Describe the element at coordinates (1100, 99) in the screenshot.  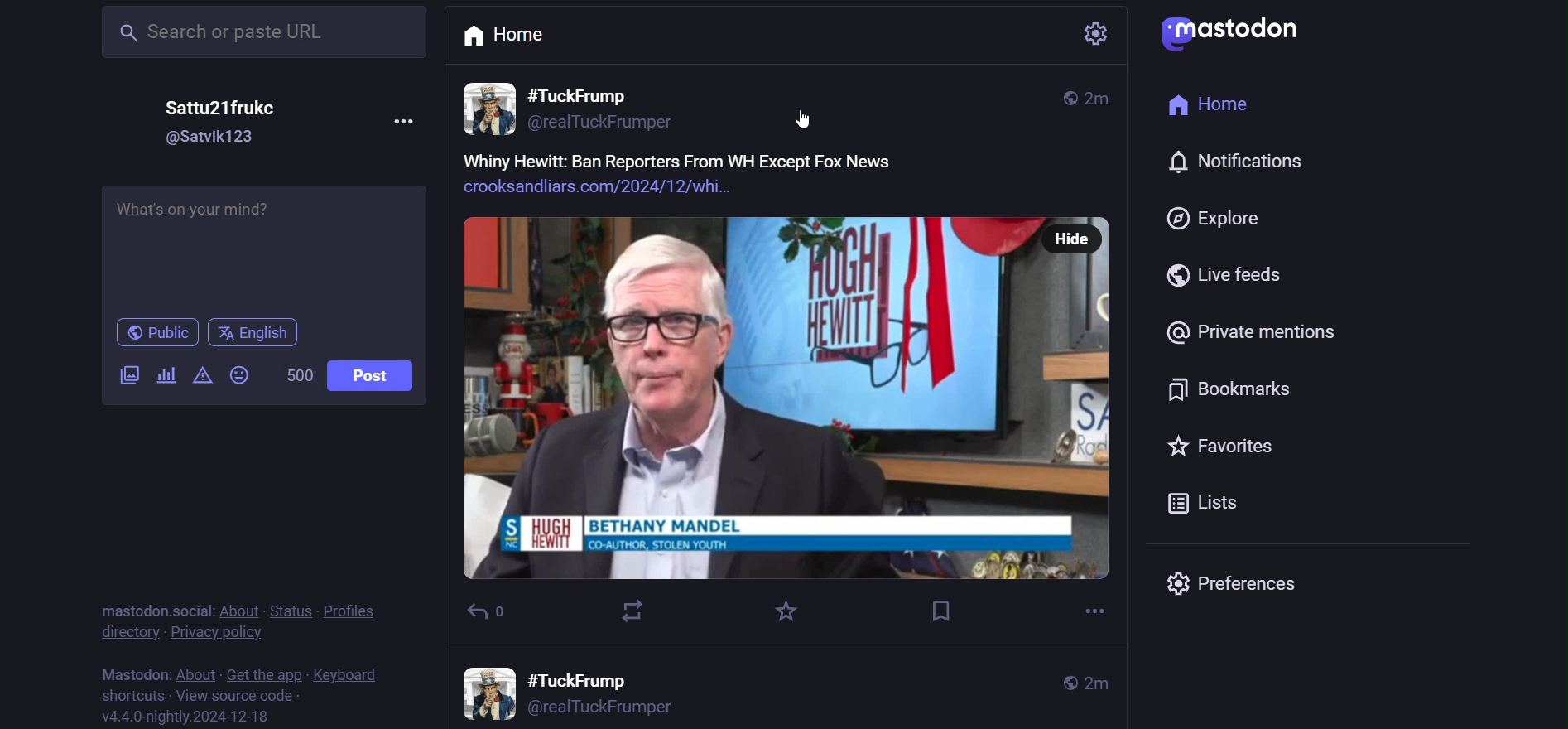
I see `last modified` at that location.